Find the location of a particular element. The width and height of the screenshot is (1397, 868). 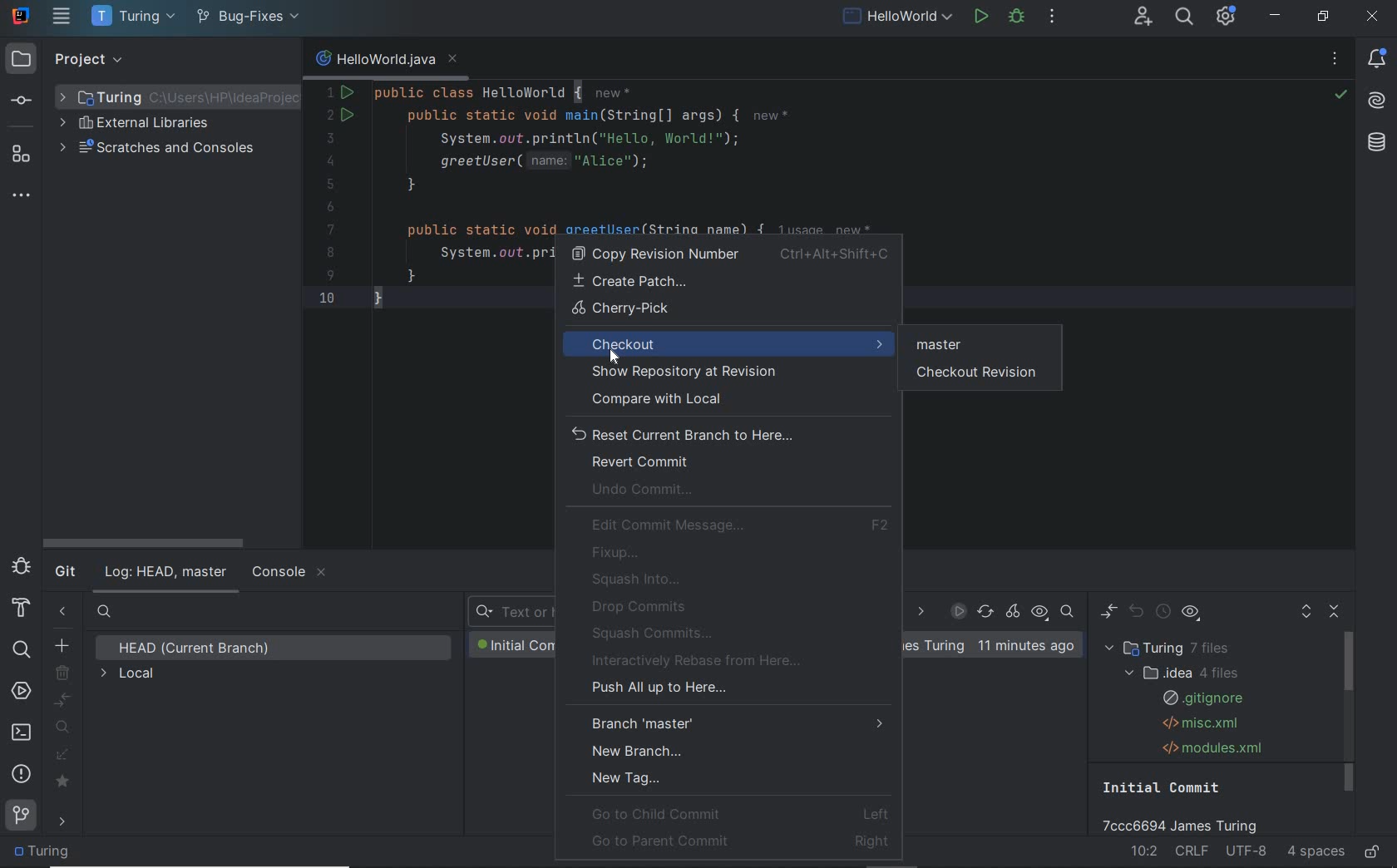

4 is located at coordinates (330, 161).